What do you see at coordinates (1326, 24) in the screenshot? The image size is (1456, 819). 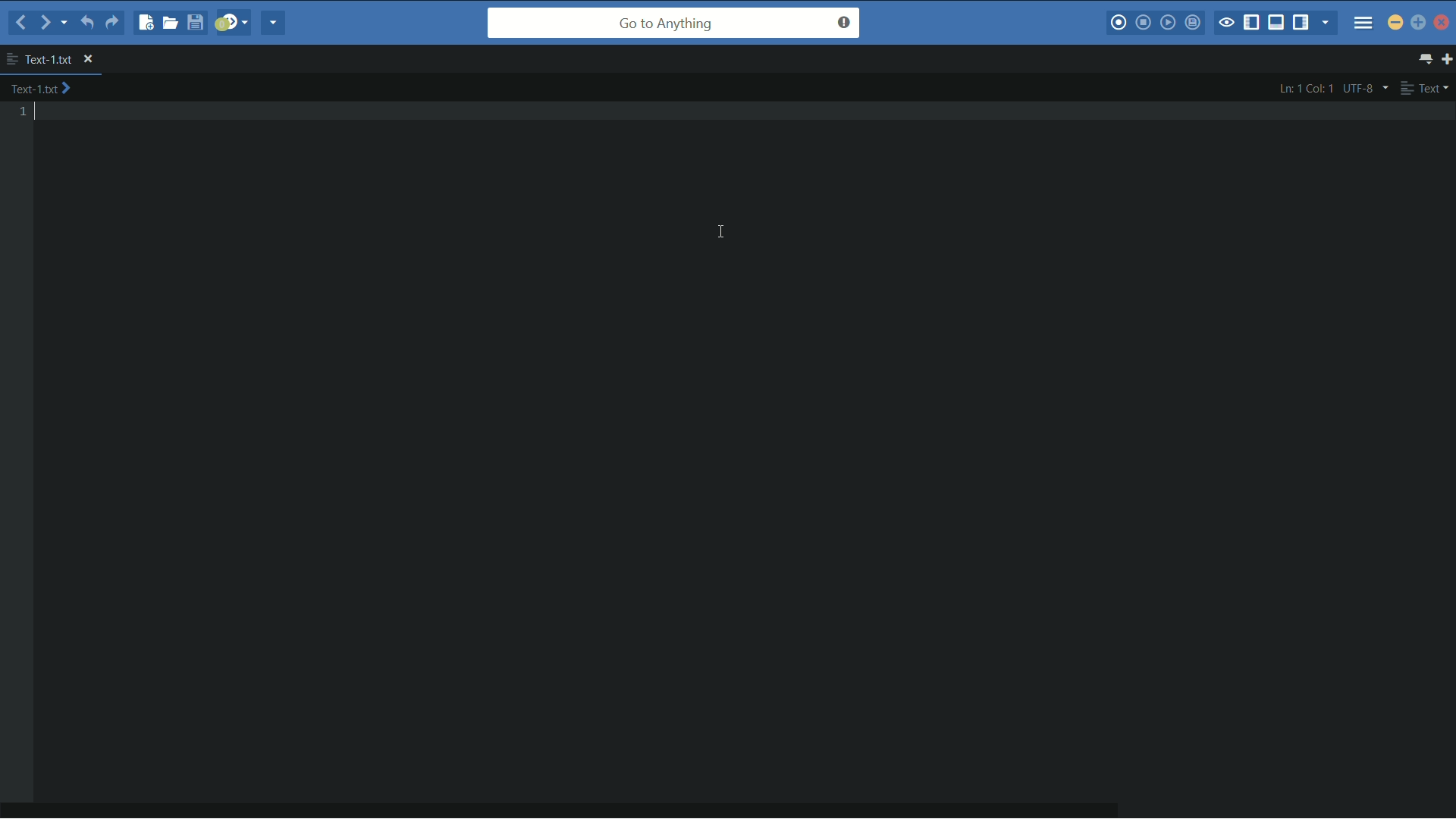 I see `show specific sidebar/tabs` at bounding box center [1326, 24].